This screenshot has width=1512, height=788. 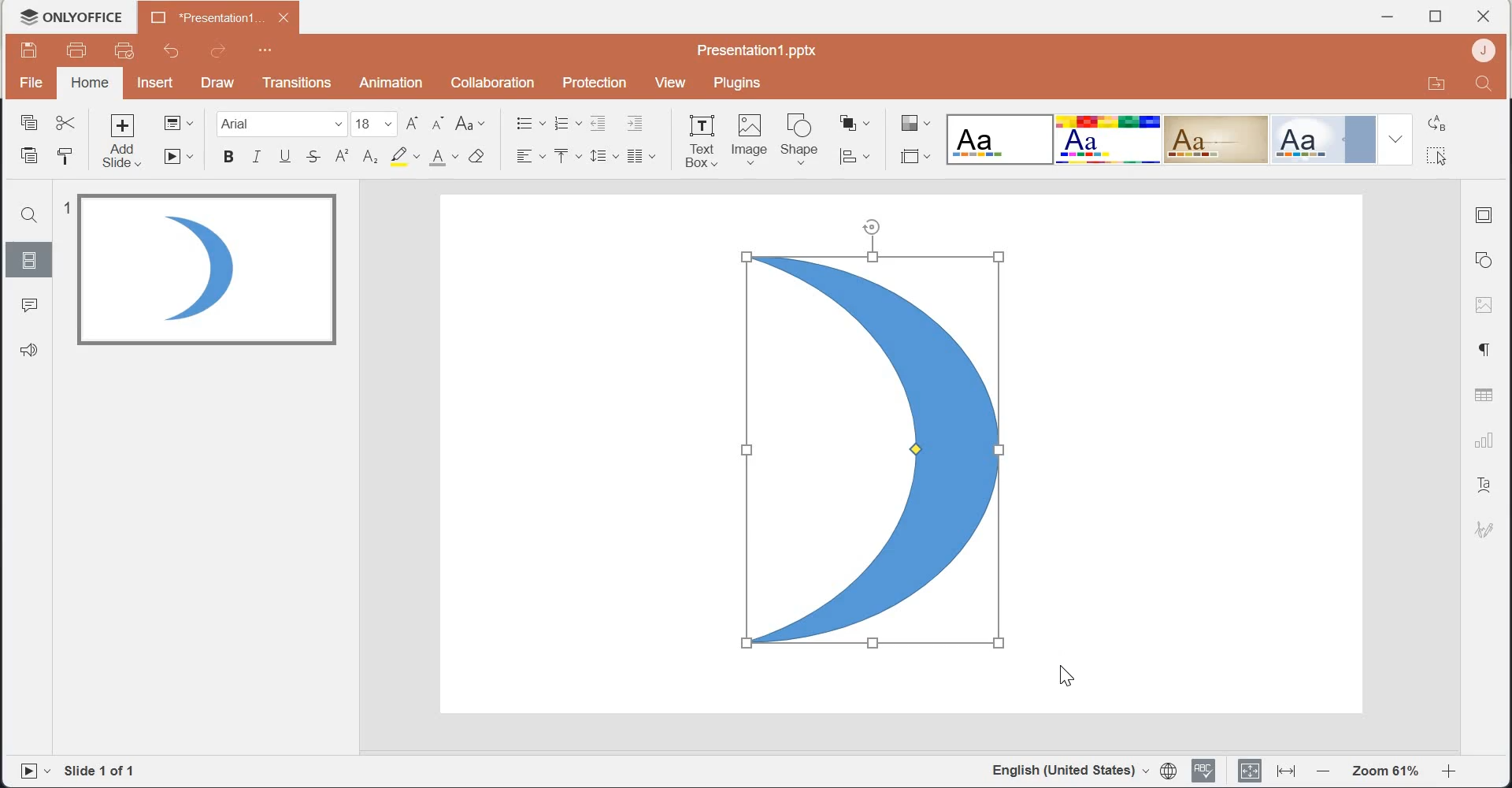 I want to click on Search, so click(x=31, y=214).